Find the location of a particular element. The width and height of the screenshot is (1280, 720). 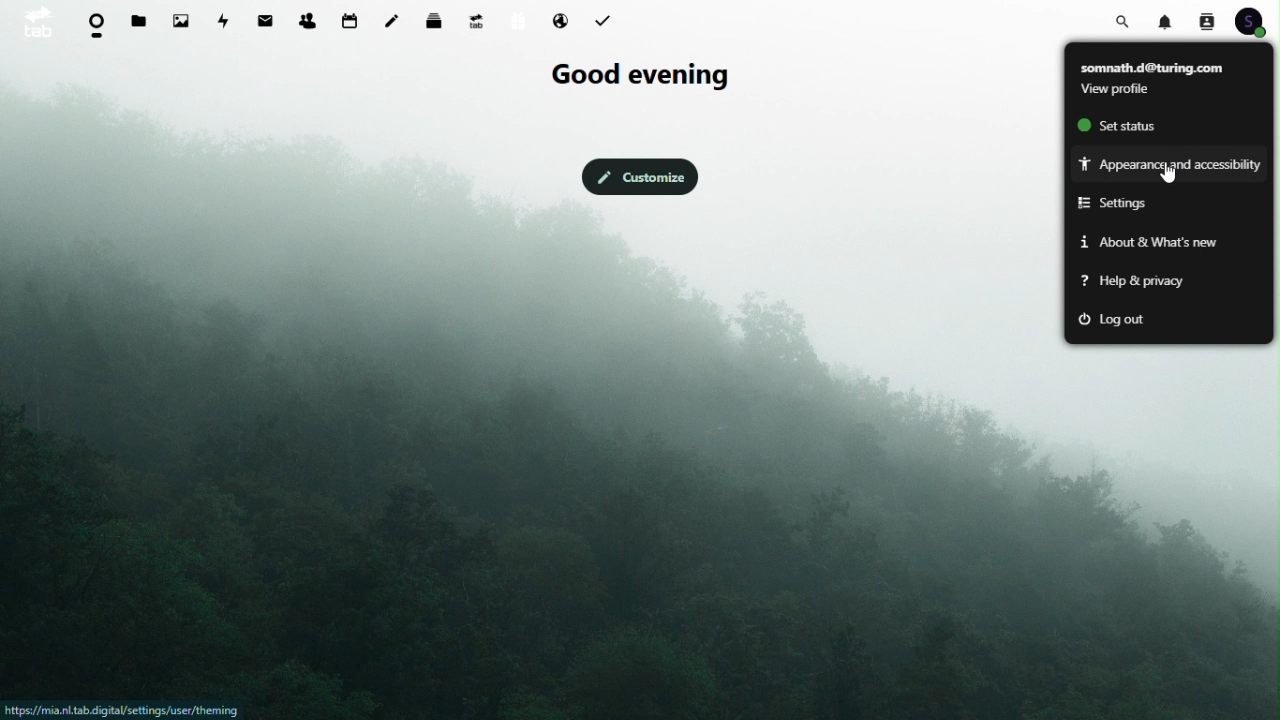

Notifications is located at coordinates (1168, 20).